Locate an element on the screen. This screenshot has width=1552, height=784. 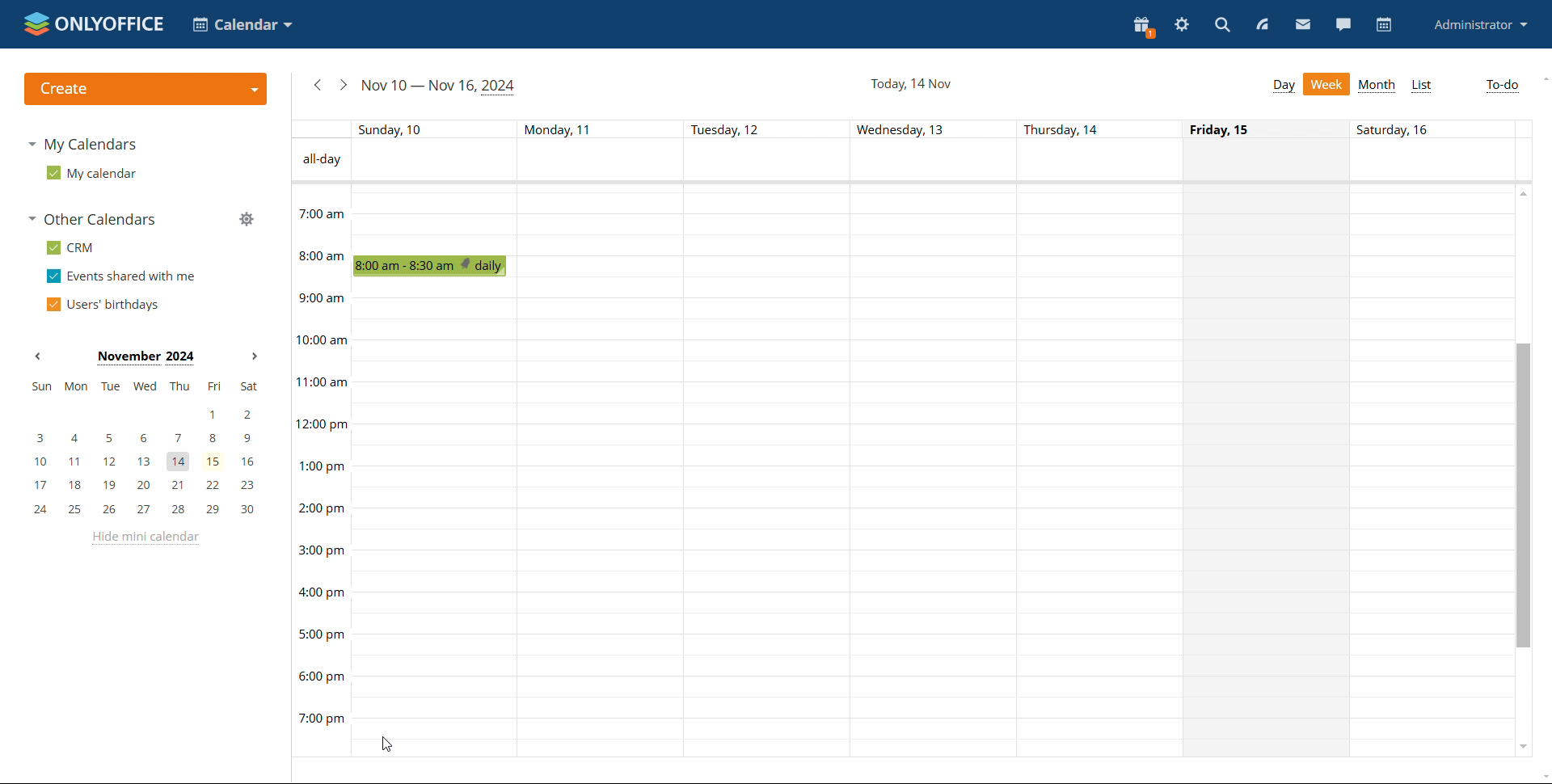
scroll up is located at coordinates (1525, 192).